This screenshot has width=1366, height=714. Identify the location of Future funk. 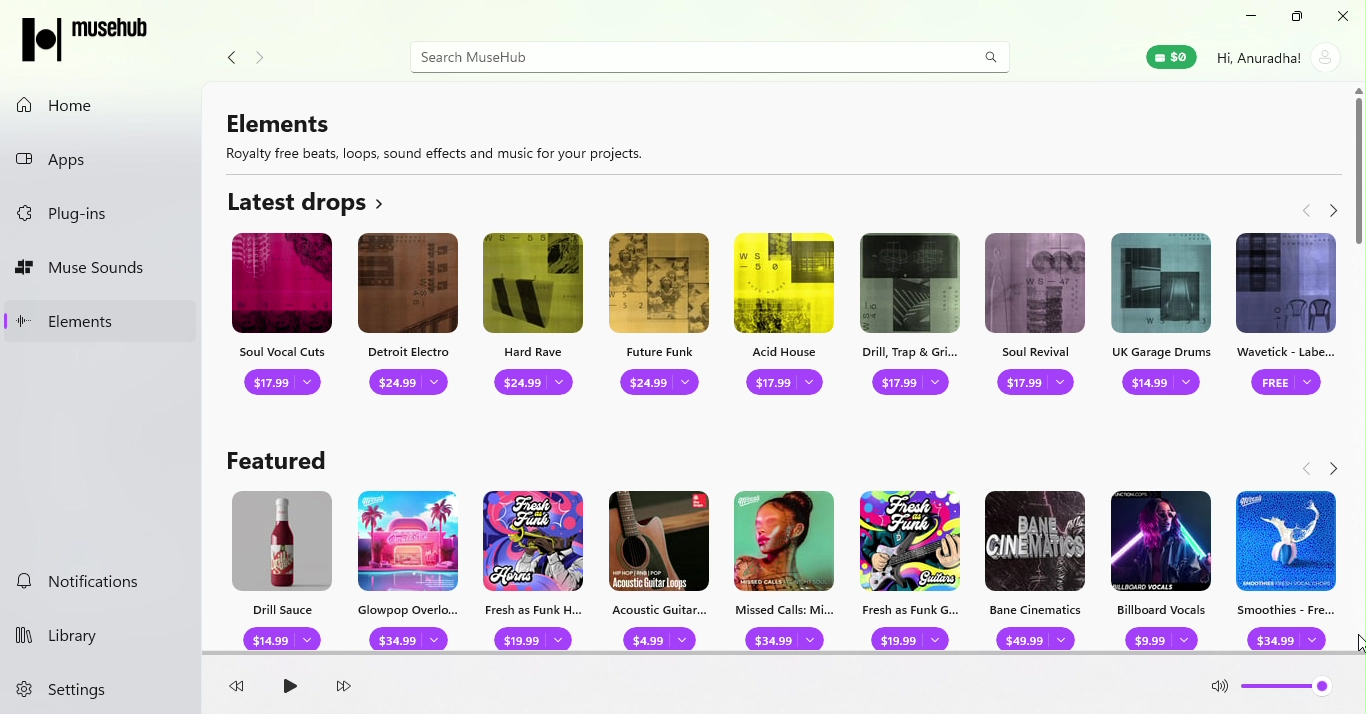
(660, 319).